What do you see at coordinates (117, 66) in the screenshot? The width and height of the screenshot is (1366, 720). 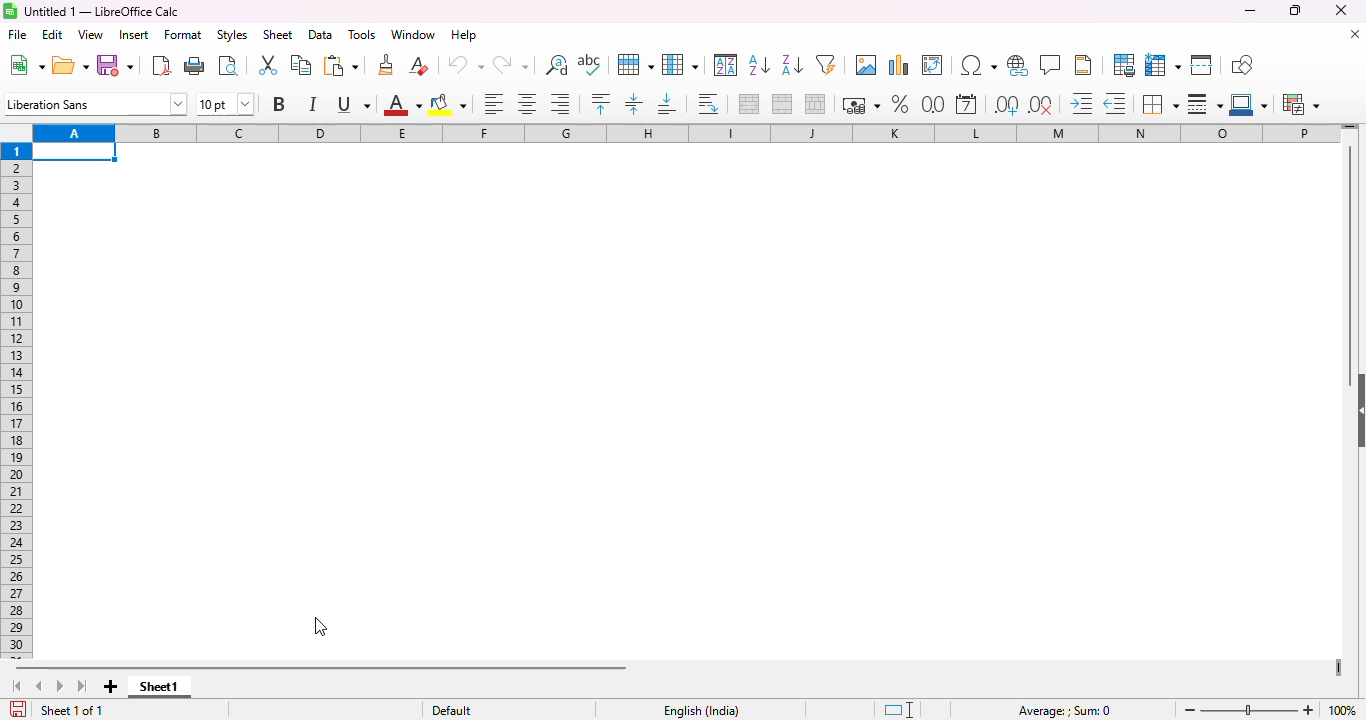 I see `save` at bounding box center [117, 66].